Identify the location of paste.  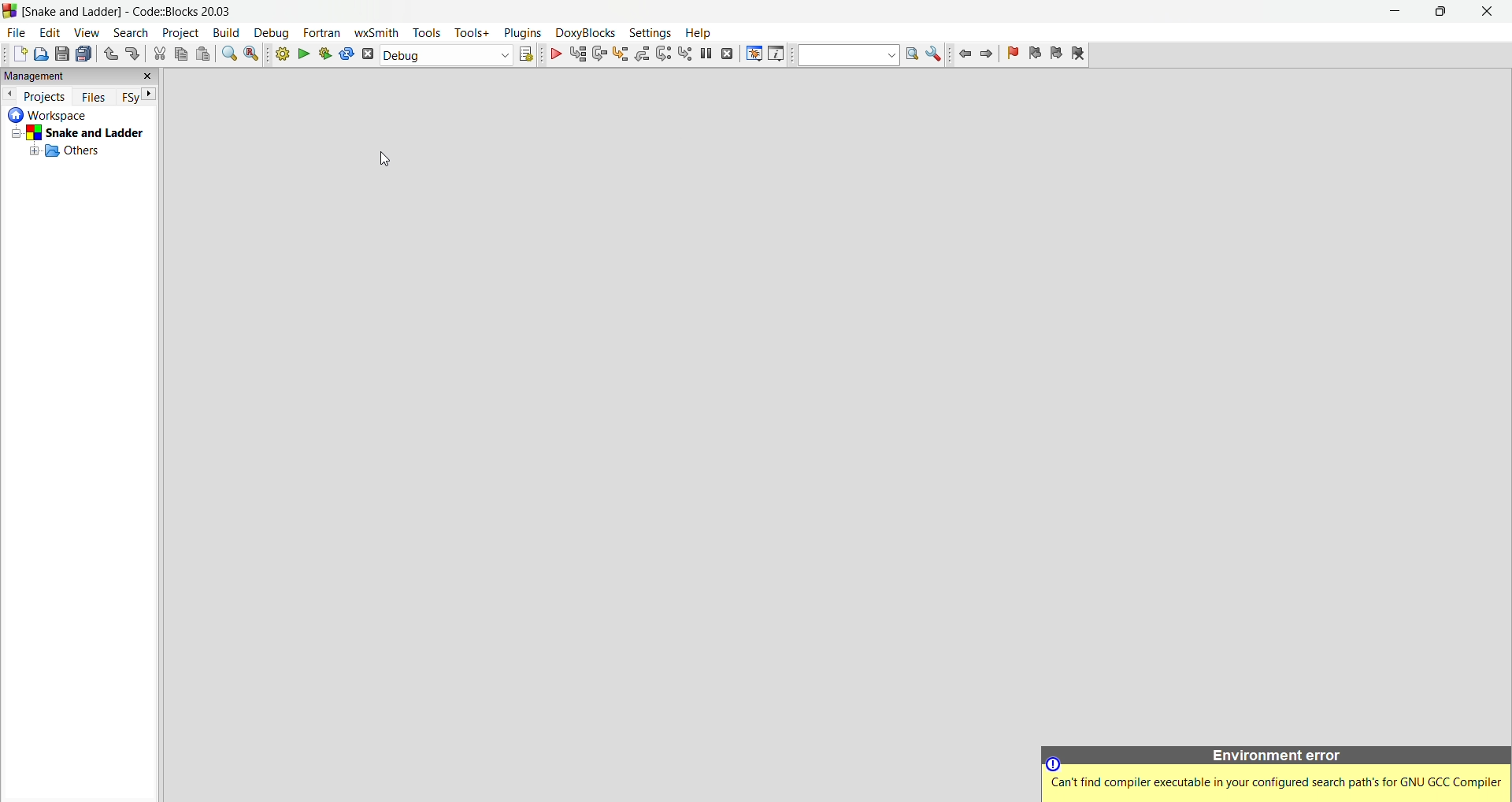
(206, 54).